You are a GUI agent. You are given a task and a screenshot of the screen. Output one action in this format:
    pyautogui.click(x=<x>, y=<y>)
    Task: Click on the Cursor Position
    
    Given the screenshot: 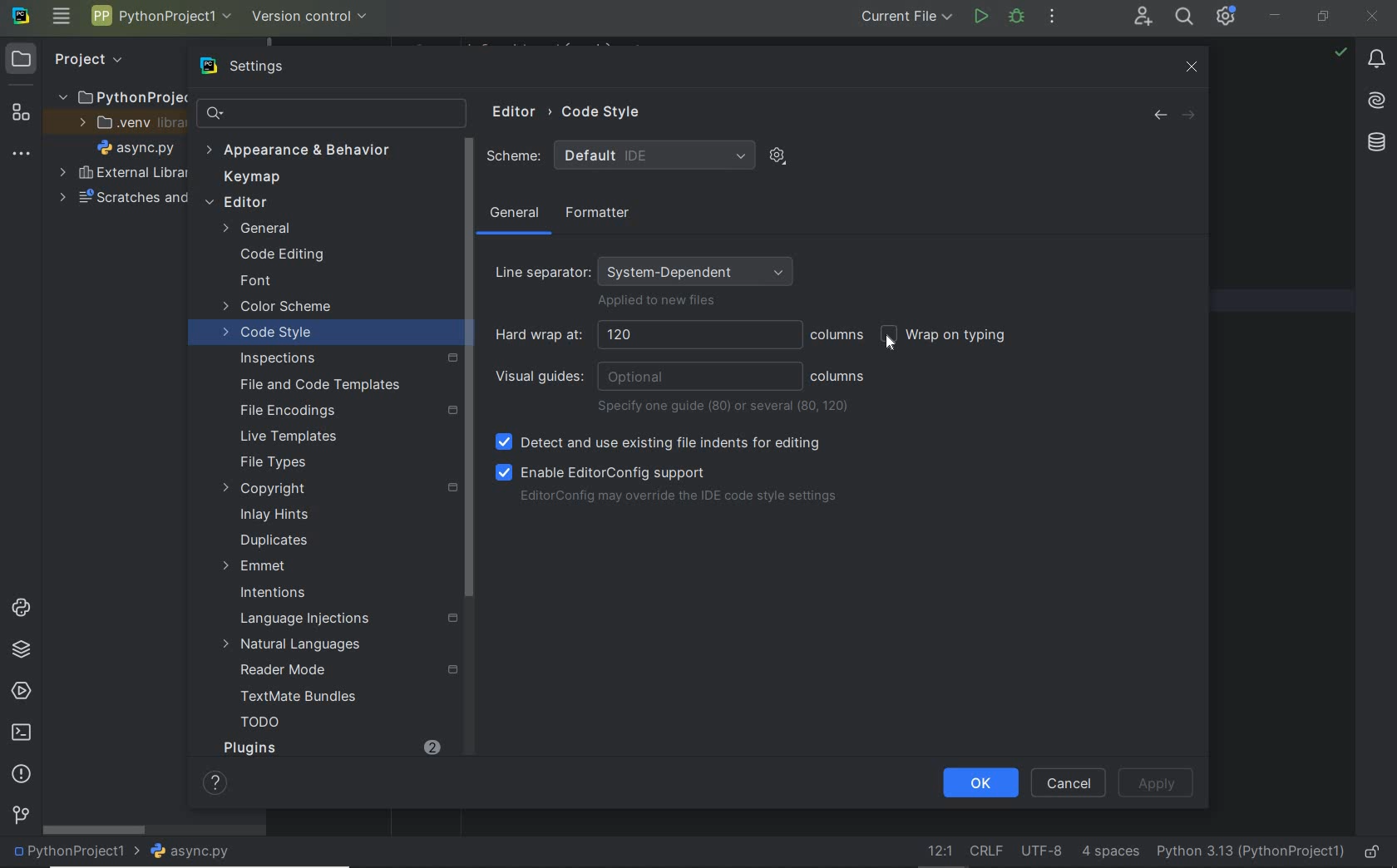 What is the action you would take?
    pyautogui.click(x=892, y=341)
    